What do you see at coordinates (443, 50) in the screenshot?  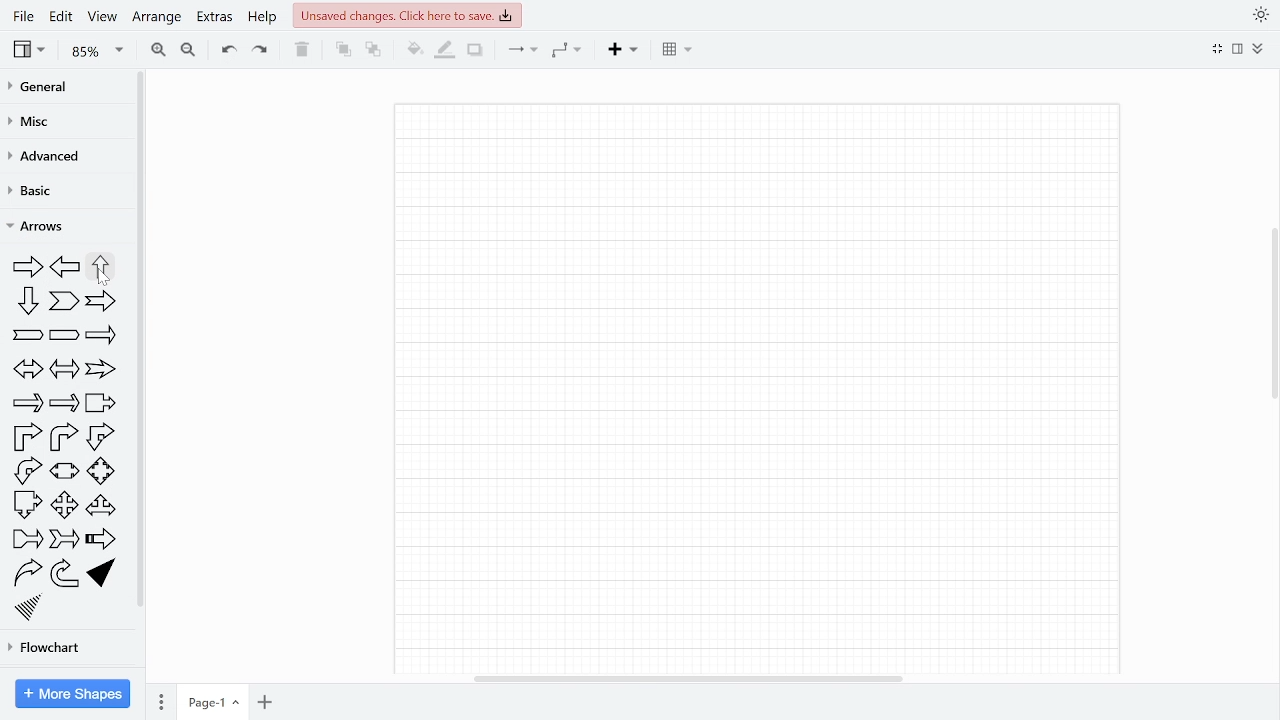 I see `Fill line` at bounding box center [443, 50].